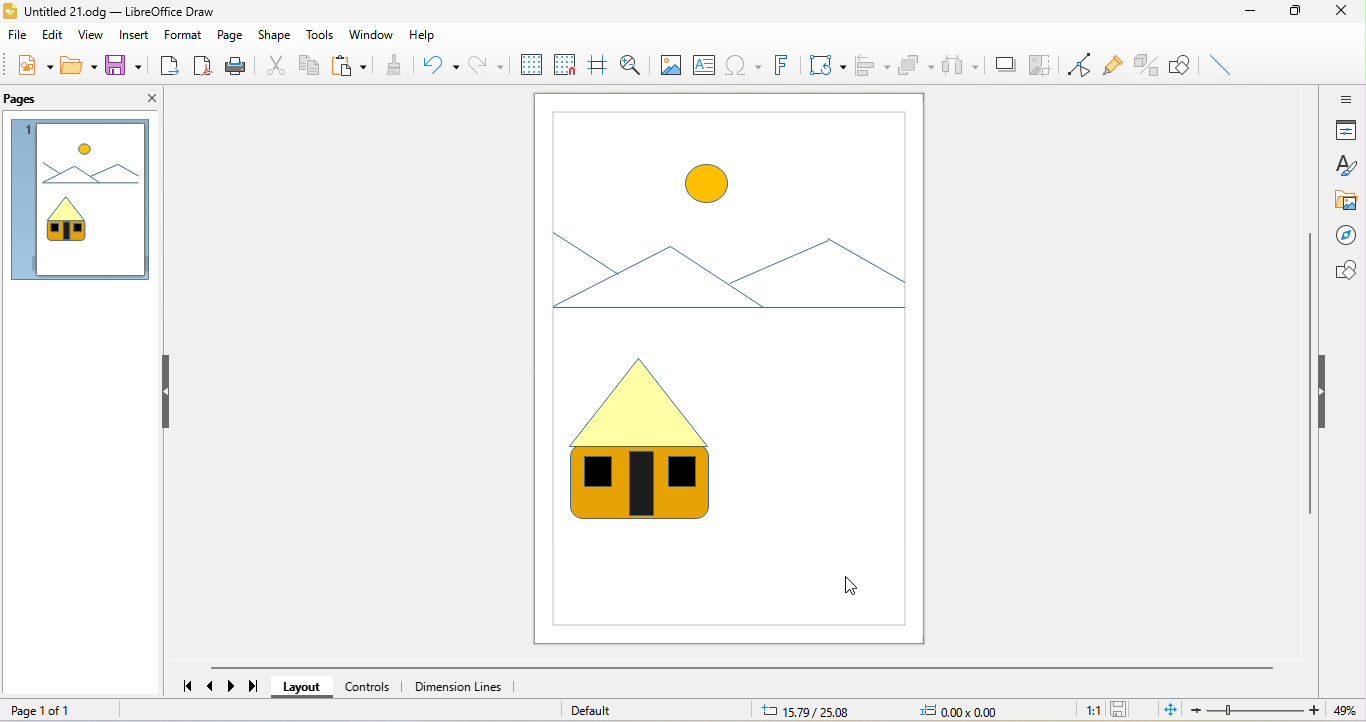 The height and width of the screenshot is (722, 1366). I want to click on properties, so click(1345, 130).